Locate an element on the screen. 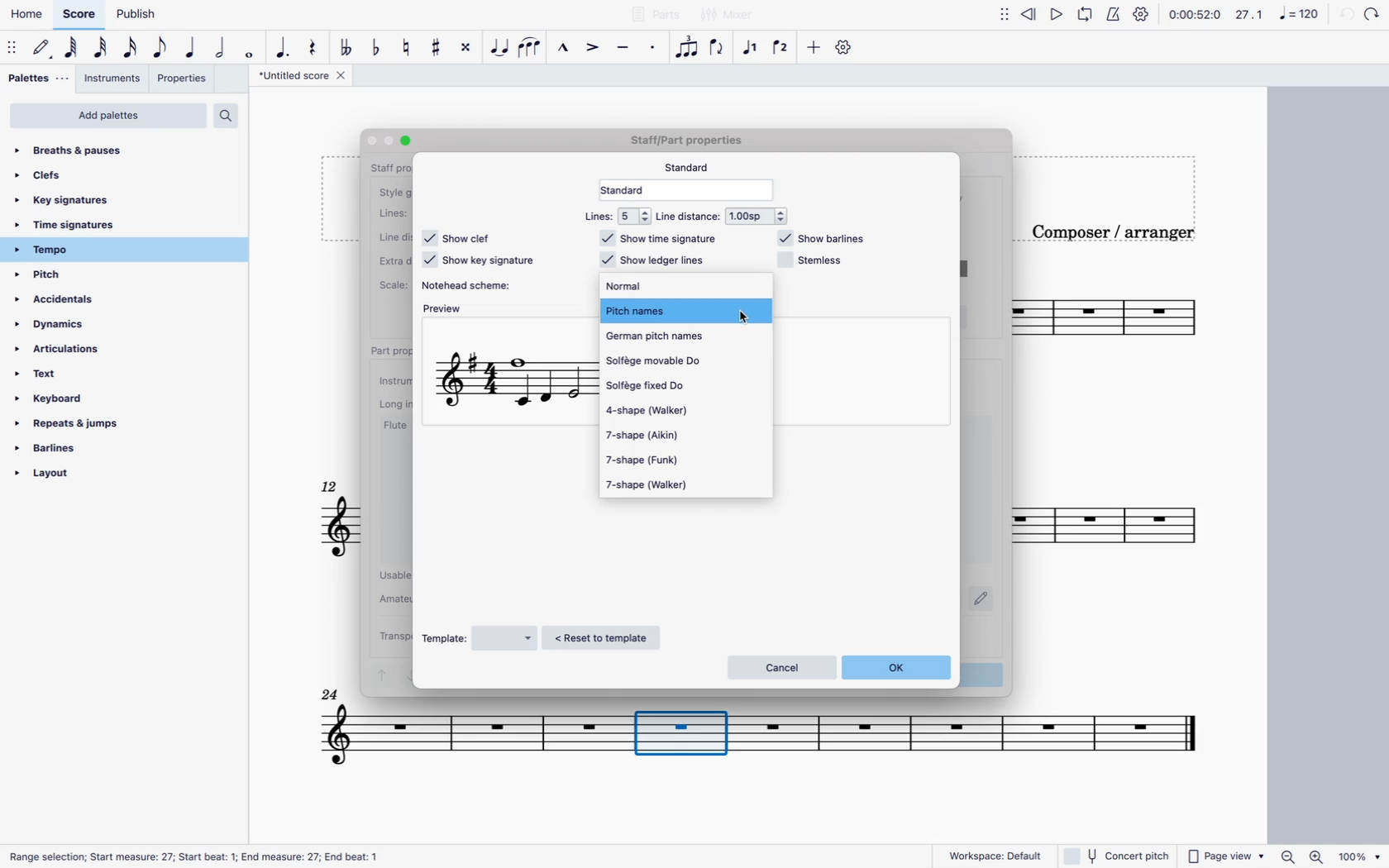 The height and width of the screenshot is (868, 1389). page view is located at coordinates (1225, 855).